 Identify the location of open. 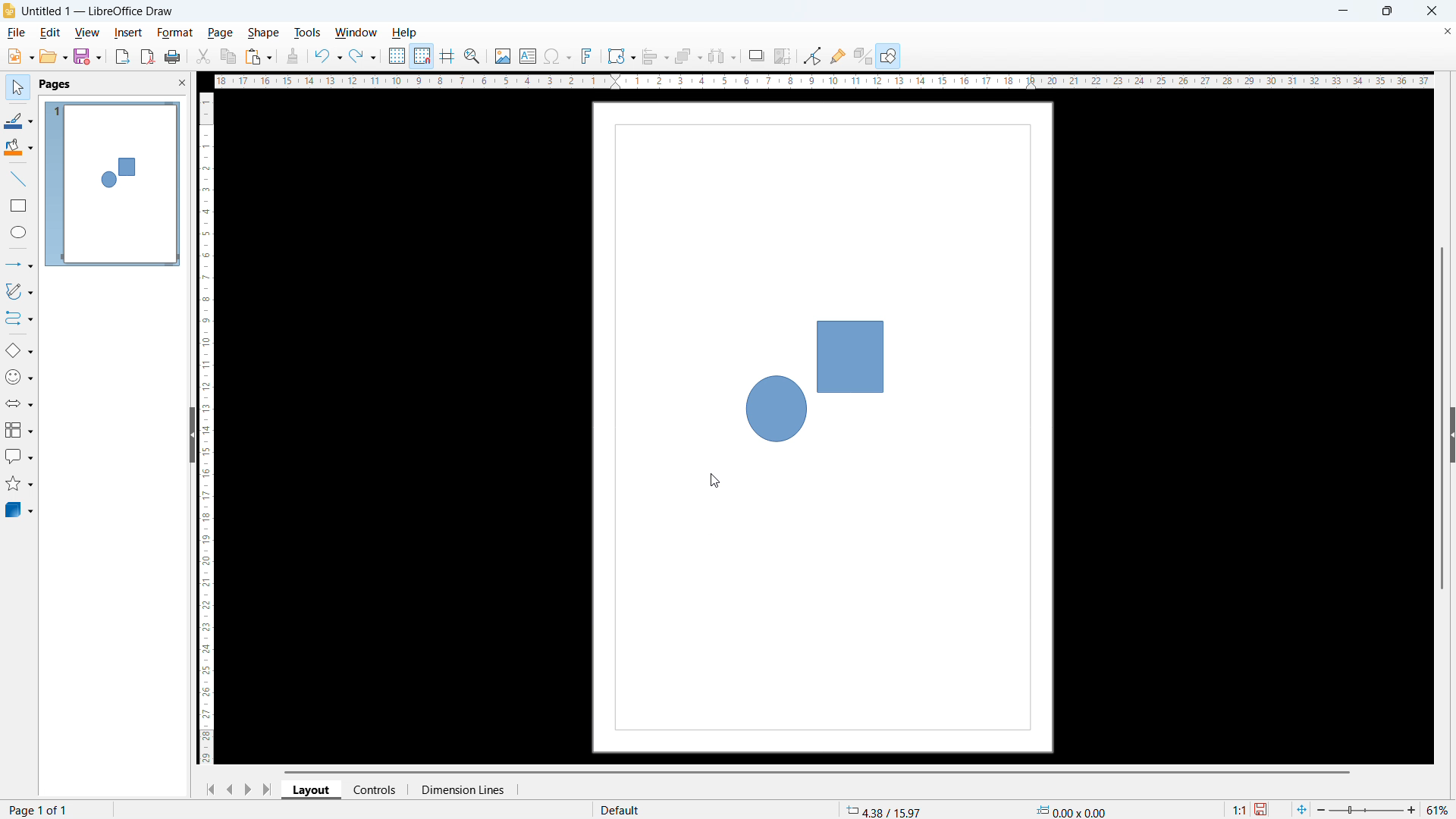
(53, 57).